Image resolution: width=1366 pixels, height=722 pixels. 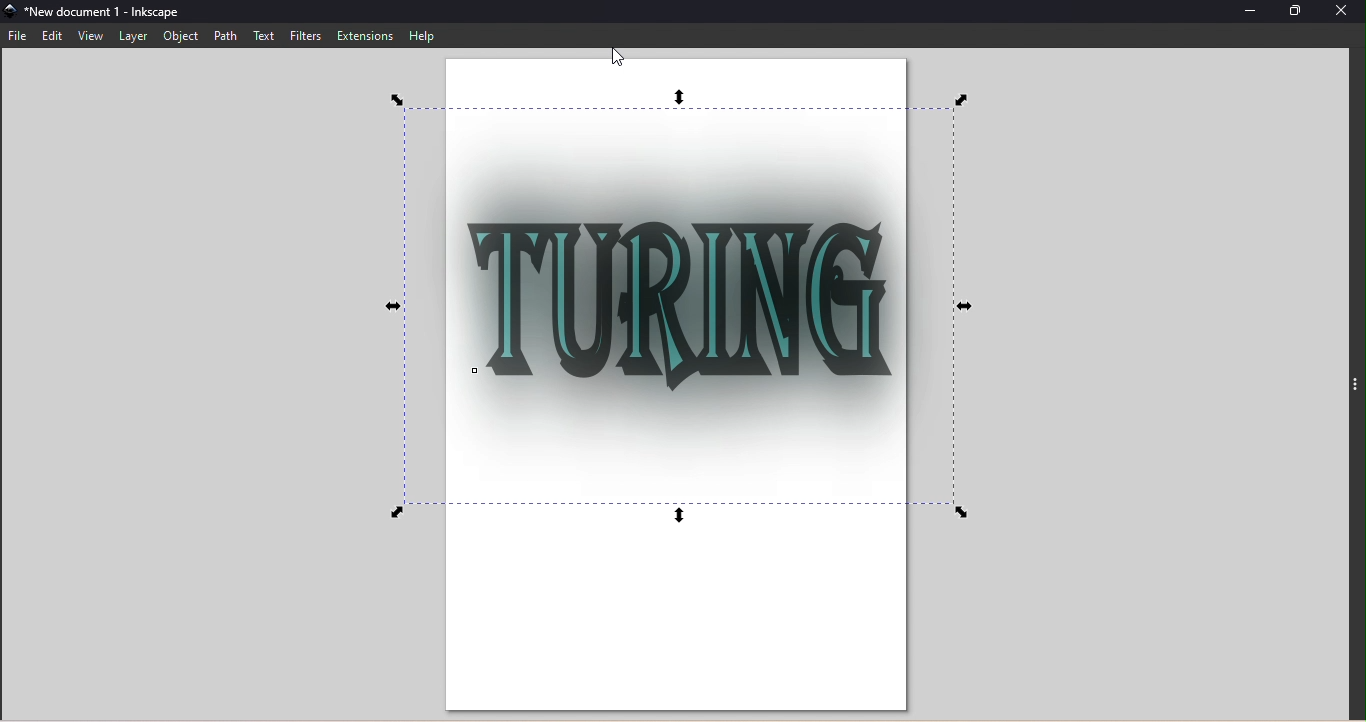 What do you see at coordinates (1295, 12) in the screenshot?
I see `Maximize` at bounding box center [1295, 12].